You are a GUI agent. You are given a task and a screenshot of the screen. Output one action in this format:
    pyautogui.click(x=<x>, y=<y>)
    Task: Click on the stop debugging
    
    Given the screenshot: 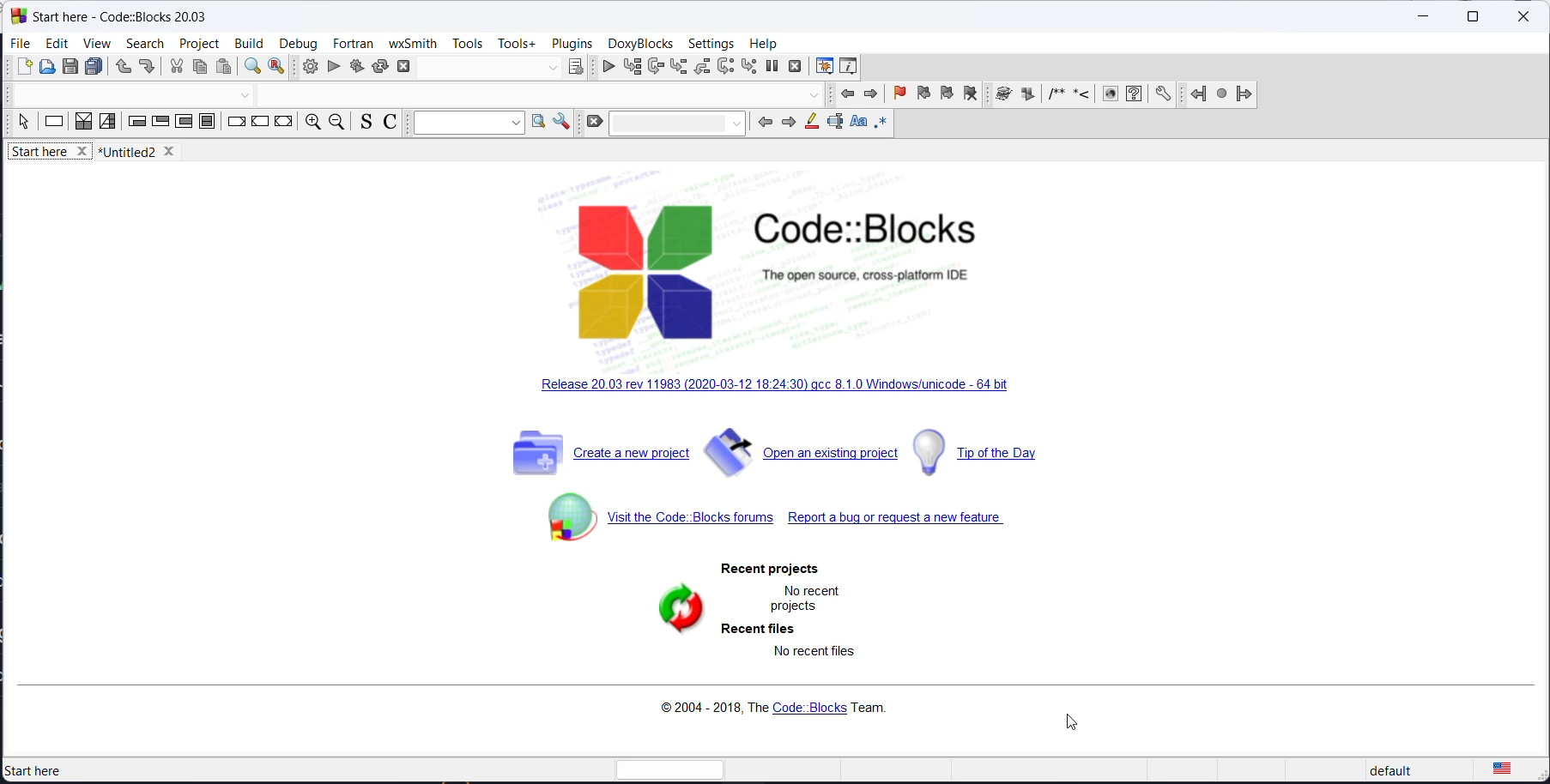 What is the action you would take?
    pyautogui.click(x=796, y=66)
    